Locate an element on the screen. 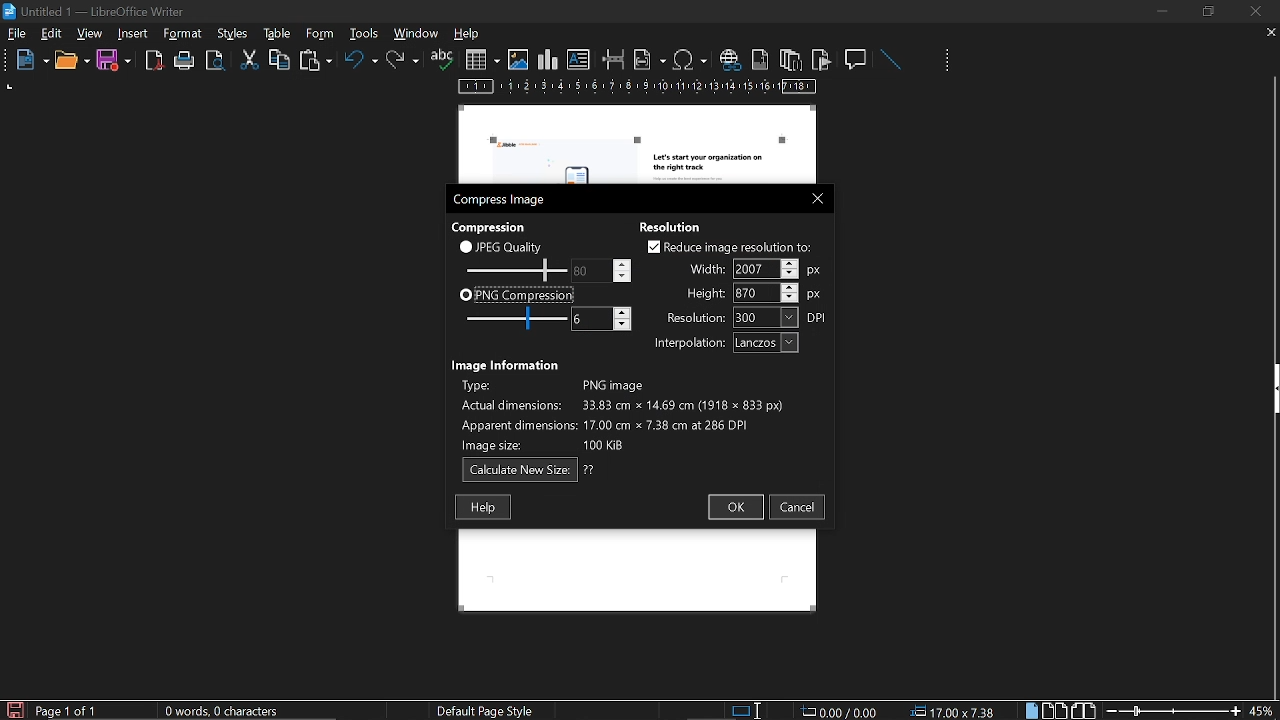 This screenshot has height=720, width=1280. print is located at coordinates (185, 61).